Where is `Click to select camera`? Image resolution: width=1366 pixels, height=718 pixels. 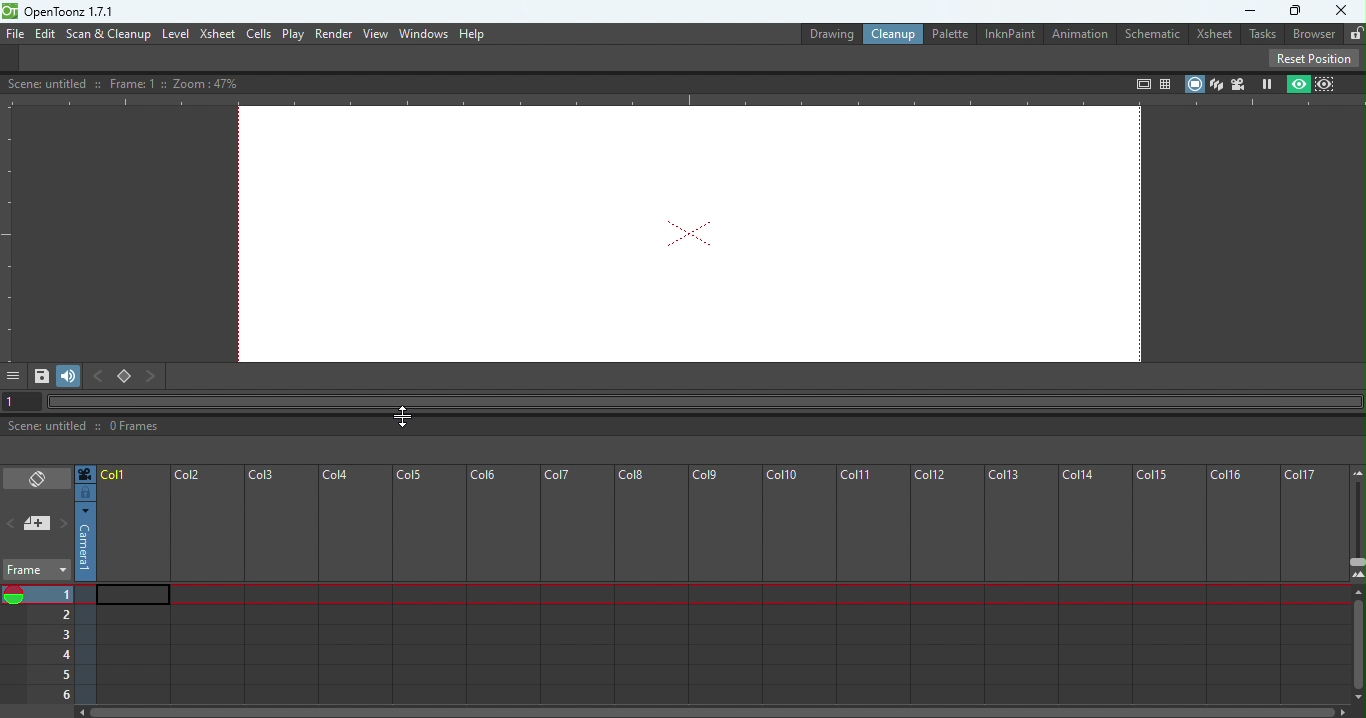
Click to select camera is located at coordinates (86, 493).